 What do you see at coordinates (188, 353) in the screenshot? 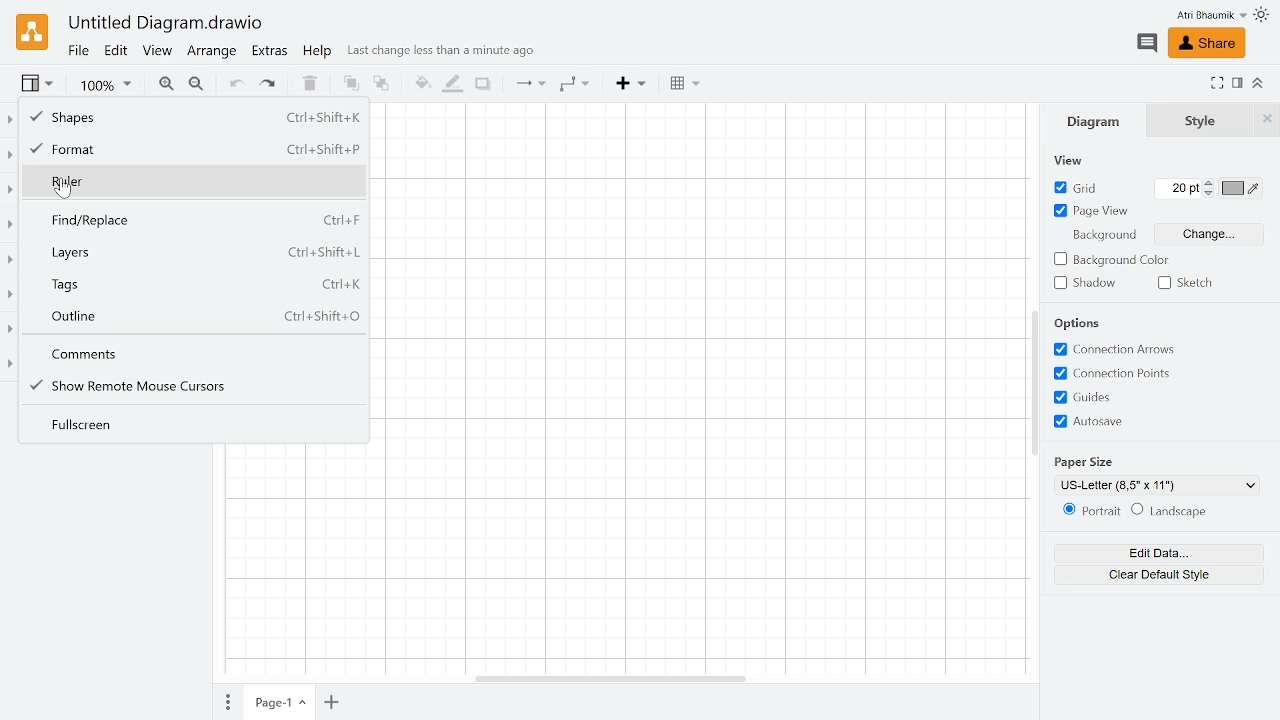
I see `Comments` at bounding box center [188, 353].